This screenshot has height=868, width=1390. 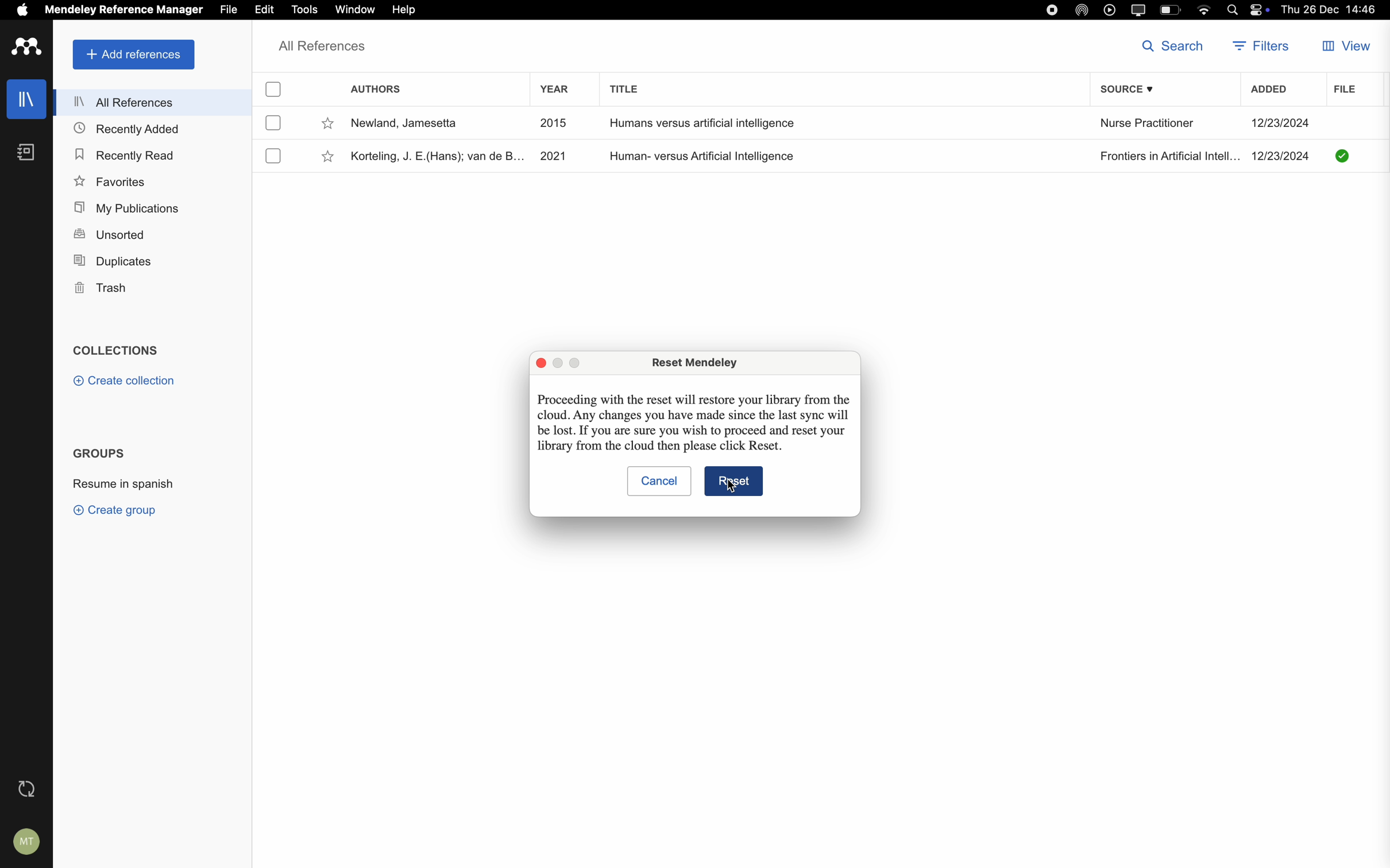 I want to click on play, so click(x=1109, y=10).